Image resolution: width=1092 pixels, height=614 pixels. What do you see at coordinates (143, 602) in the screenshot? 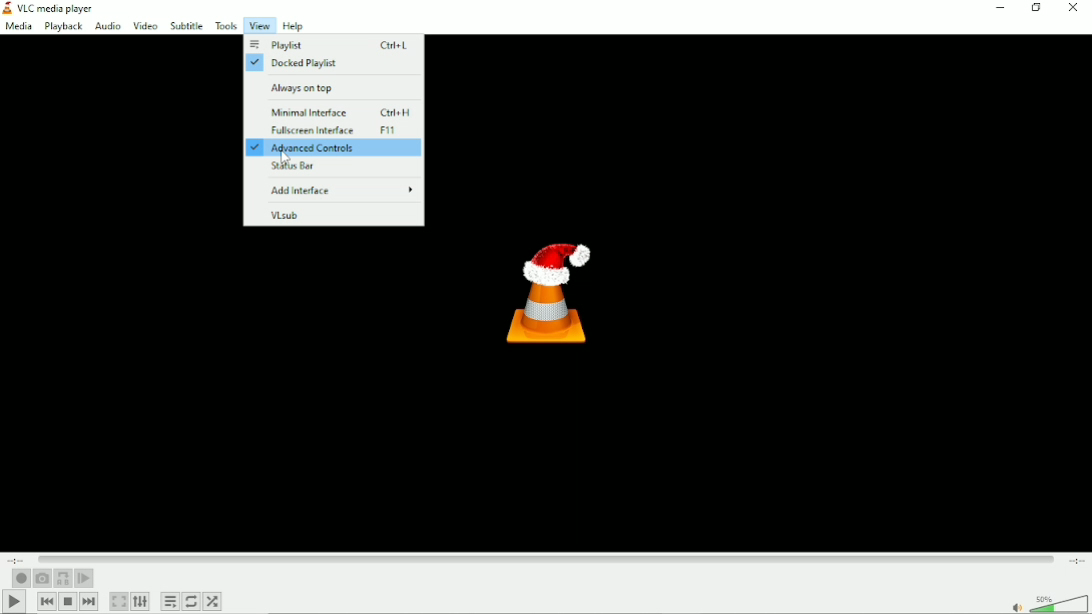
I see `show extended settings` at bounding box center [143, 602].